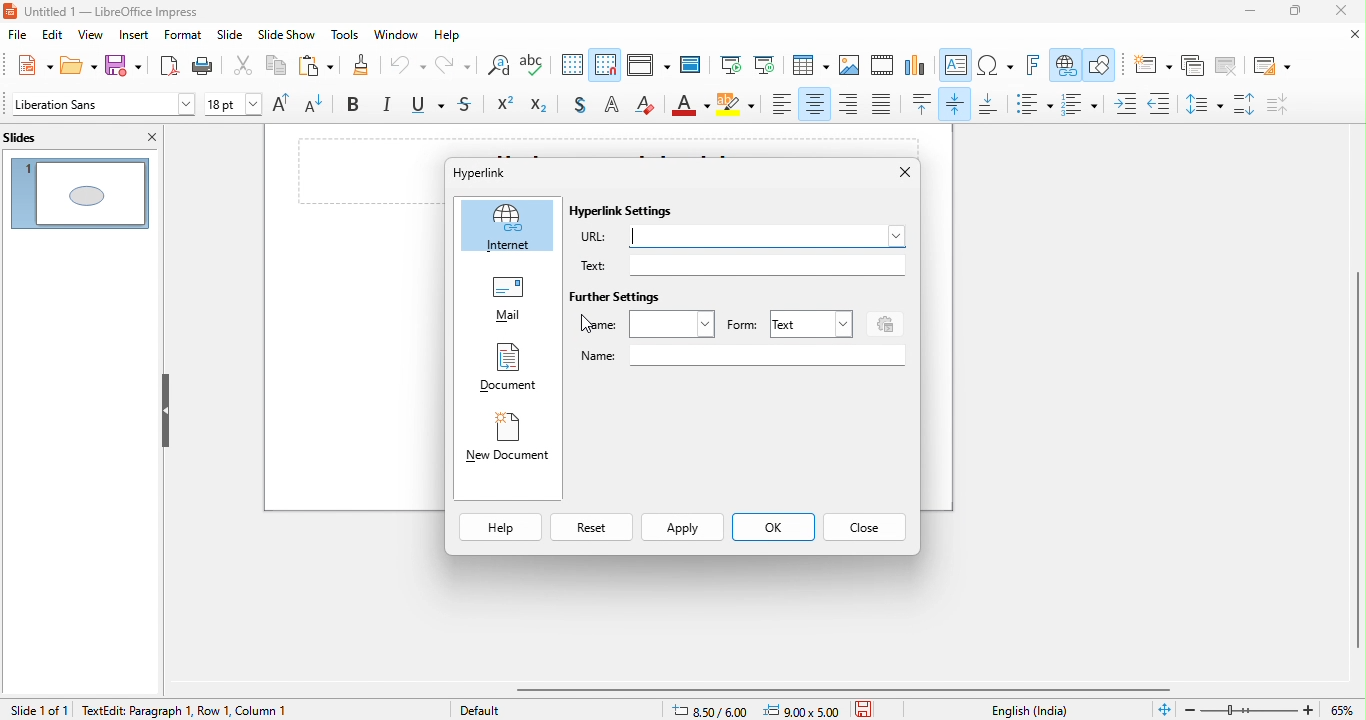  What do you see at coordinates (135, 35) in the screenshot?
I see `insert ` at bounding box center [135, 35].